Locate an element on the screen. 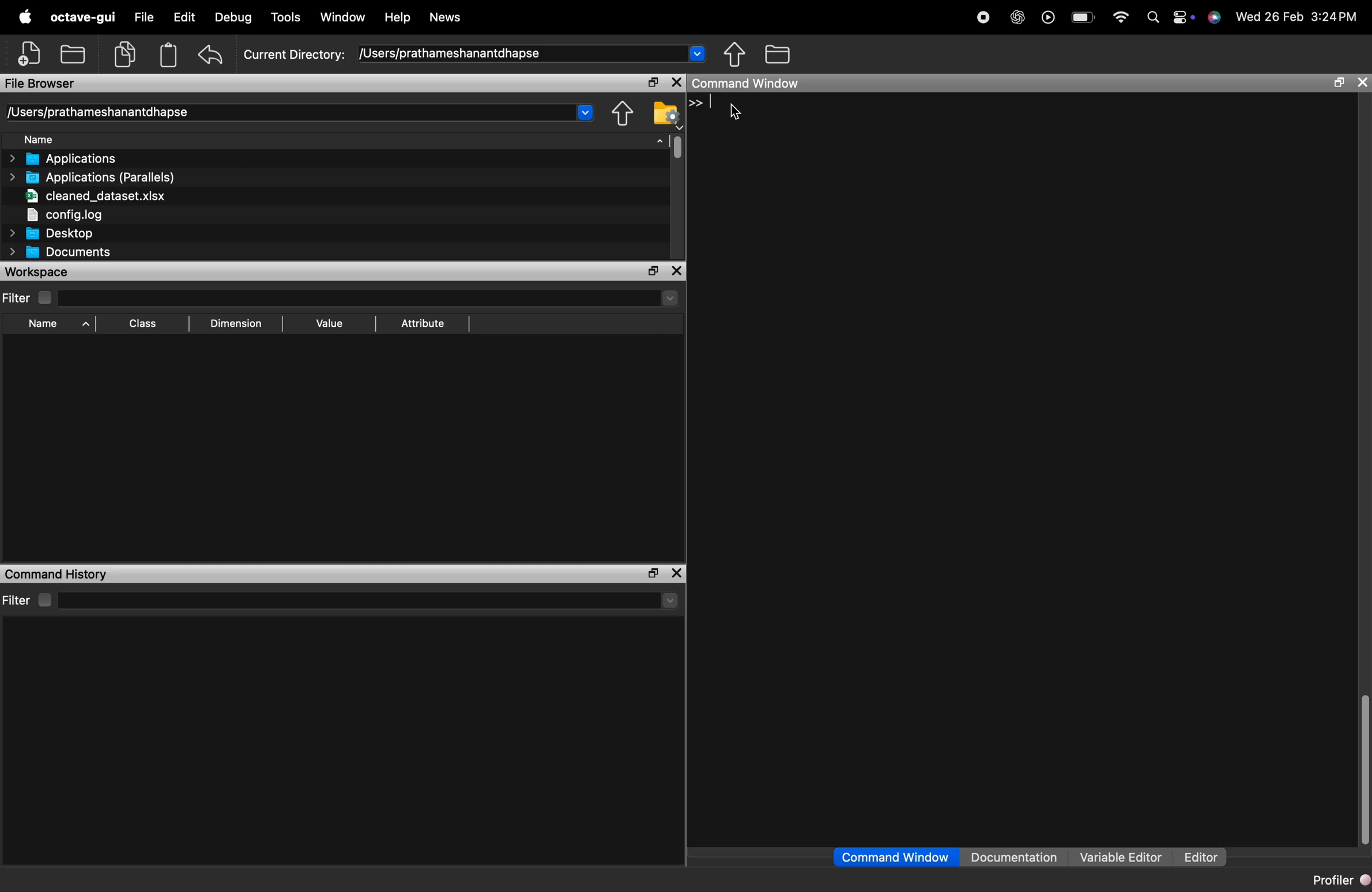 The width and height of the screenshot is (1372, 892). Class is located at coordinates (140, 325).